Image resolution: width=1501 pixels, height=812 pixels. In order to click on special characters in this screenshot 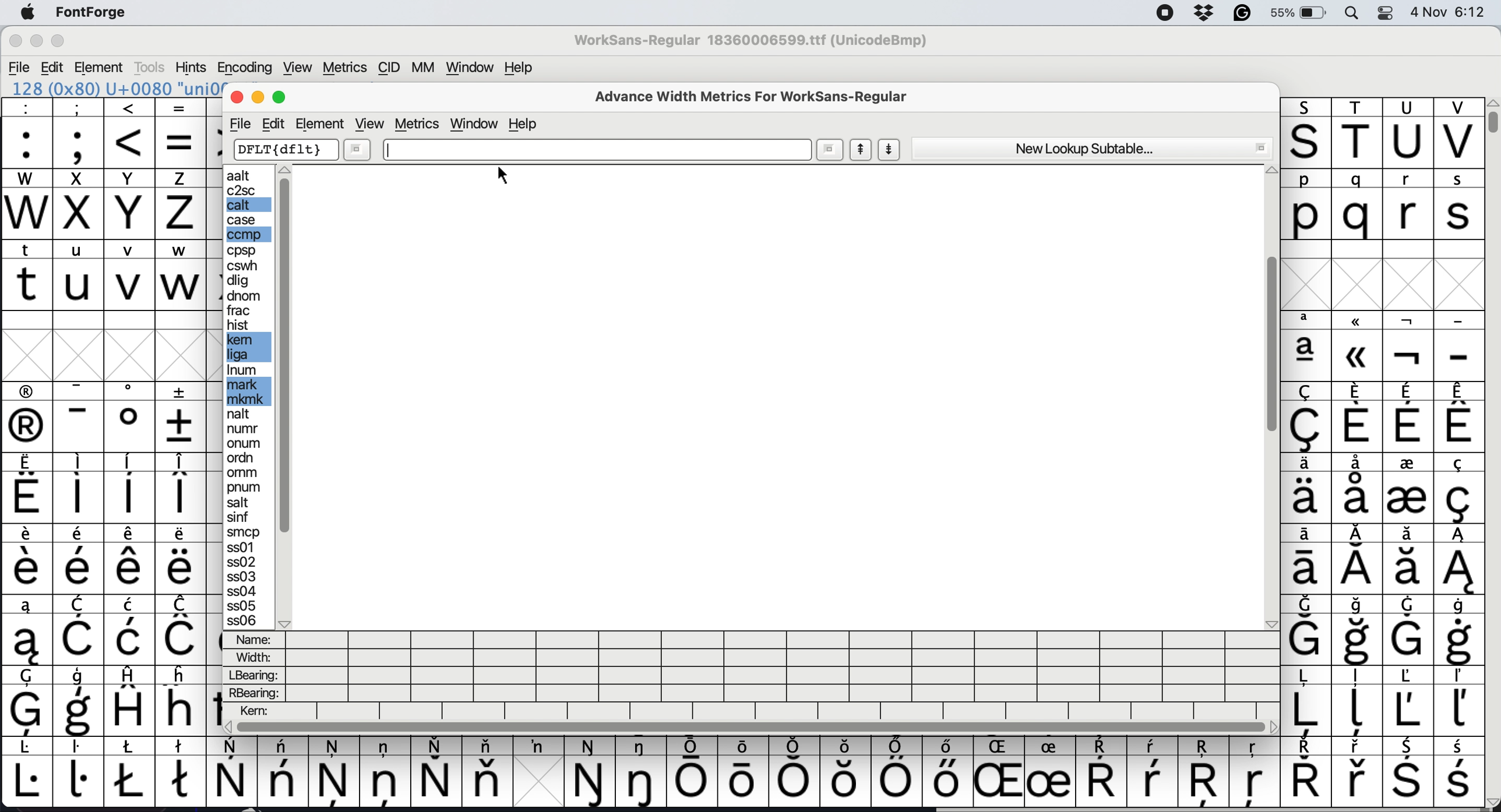, I will do `click(106, 677)`.